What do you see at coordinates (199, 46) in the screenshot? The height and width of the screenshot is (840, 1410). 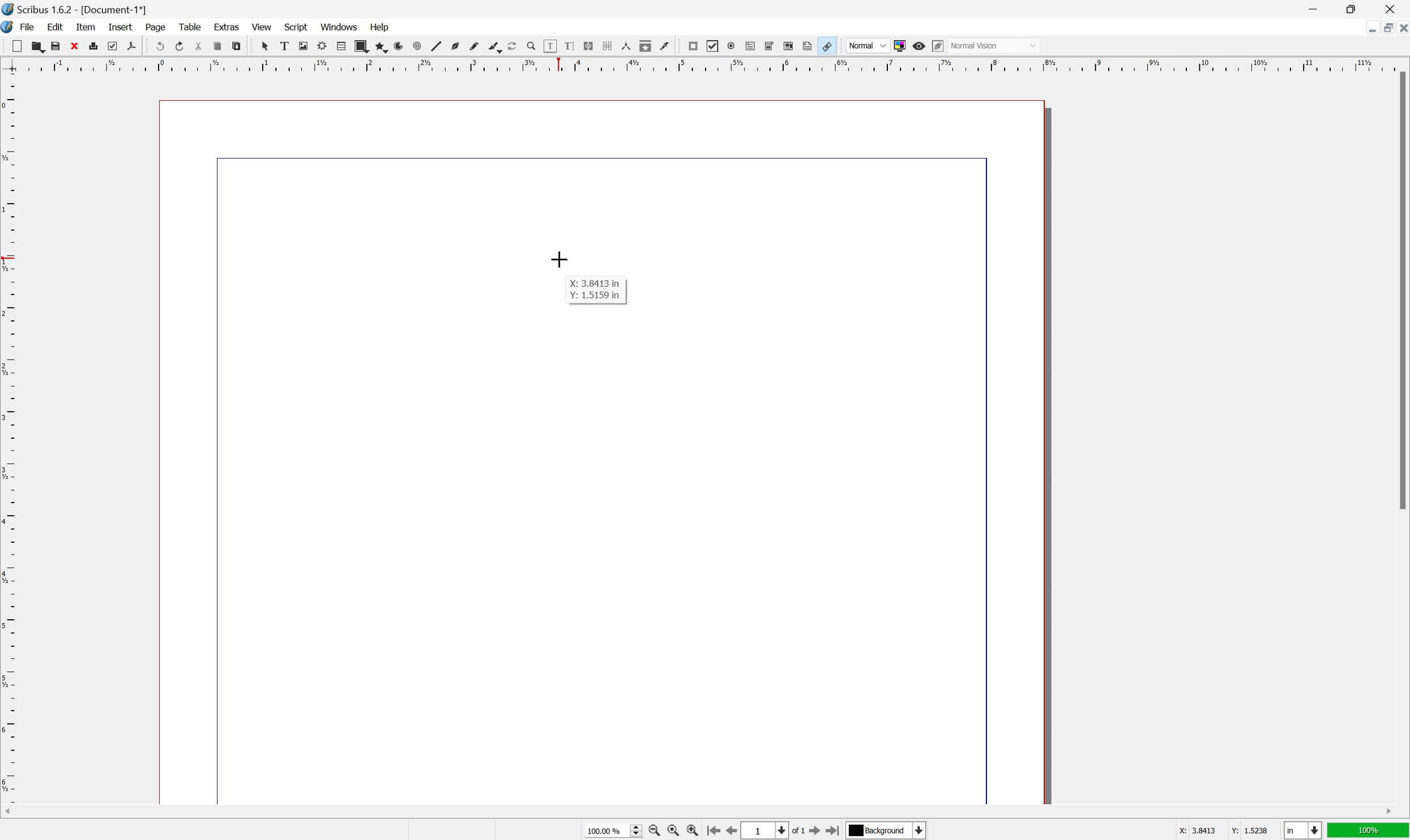 I see `cut` at bounding box center [199, 46].